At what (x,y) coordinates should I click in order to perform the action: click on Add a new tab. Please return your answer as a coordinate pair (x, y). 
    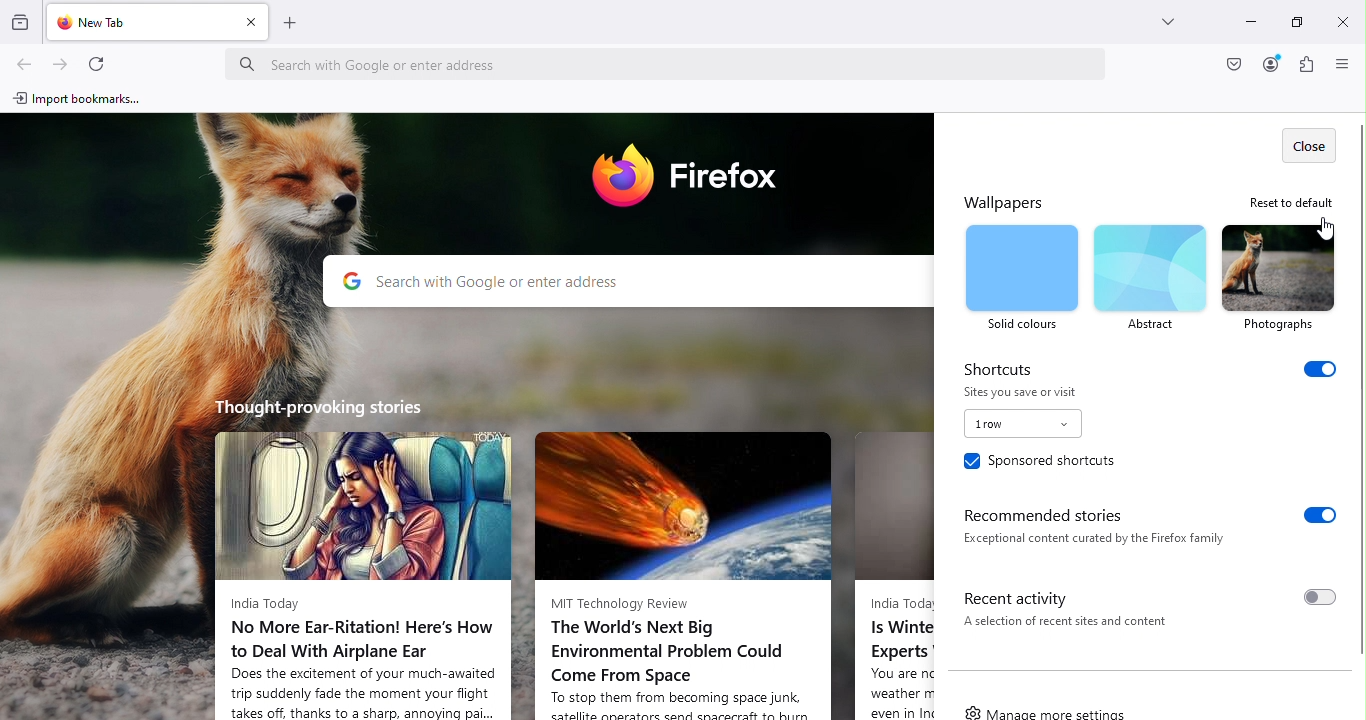
    Looking at the image, I should click on (295, 28).